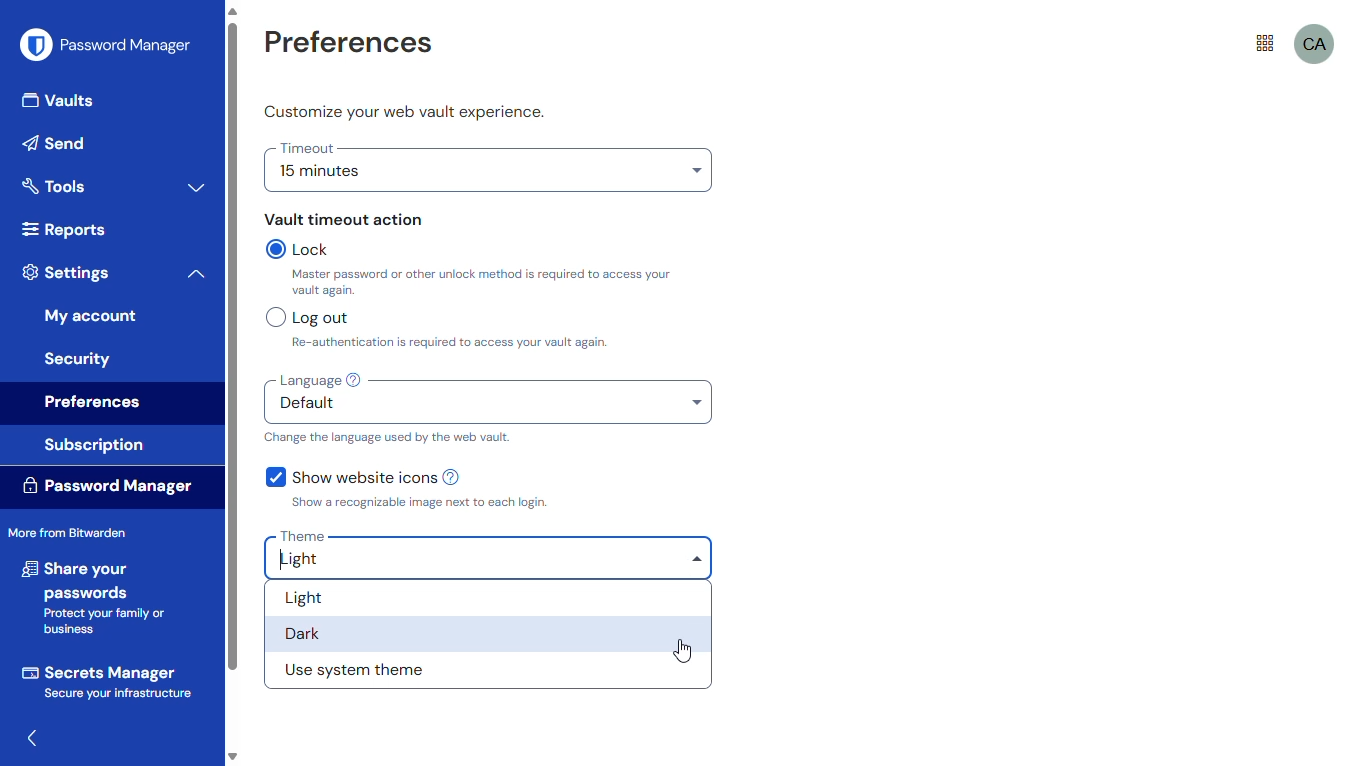 This screenshot has height=766, width=1366. Describe the element at coordinates (354, 380) in the screenshot. I see `learn more about localization` at that location.